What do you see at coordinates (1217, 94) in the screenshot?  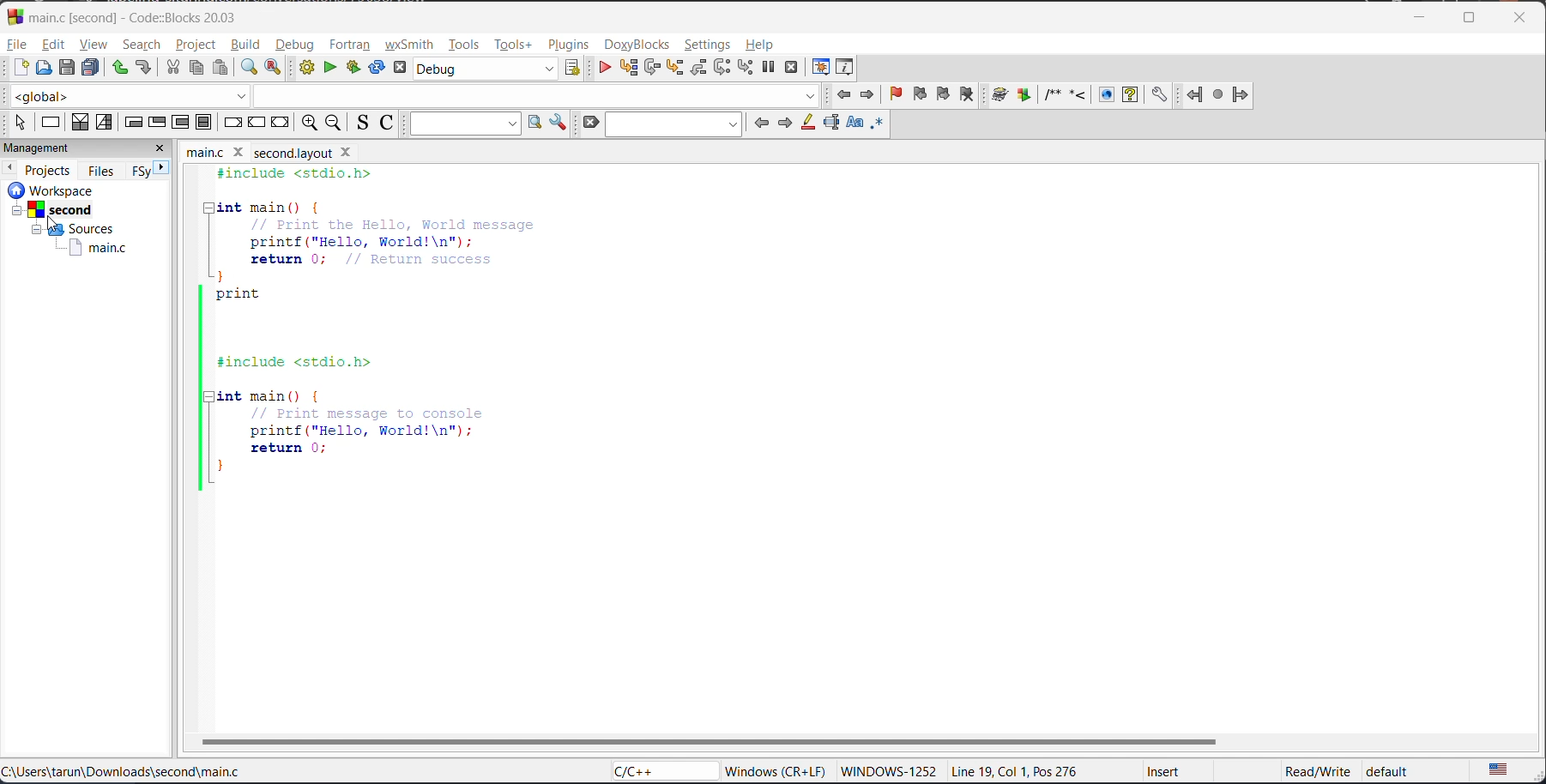 I see `fortran` at bounding box center [1217, 94].